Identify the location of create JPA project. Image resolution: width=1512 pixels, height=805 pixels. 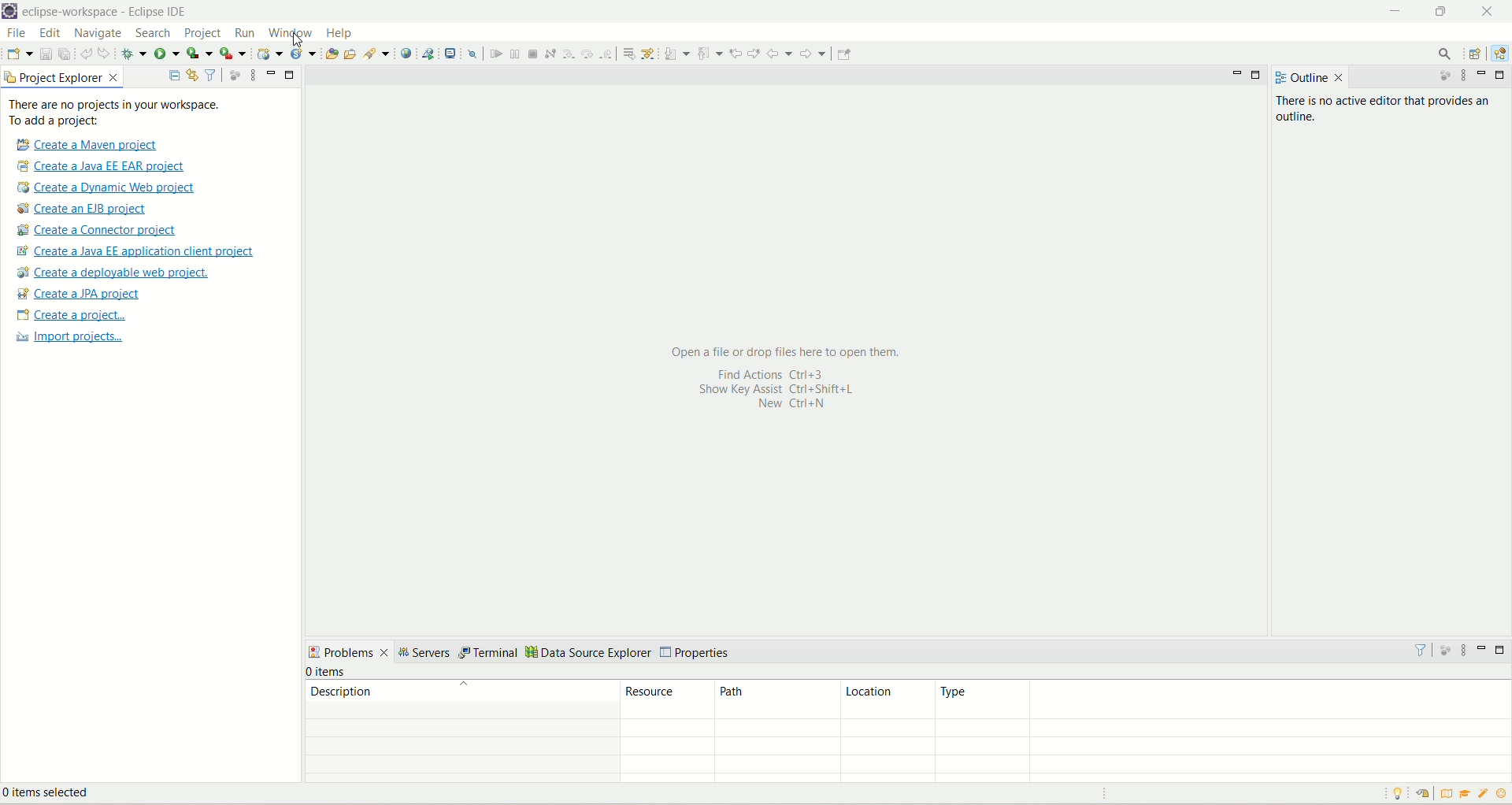
(80, 294).